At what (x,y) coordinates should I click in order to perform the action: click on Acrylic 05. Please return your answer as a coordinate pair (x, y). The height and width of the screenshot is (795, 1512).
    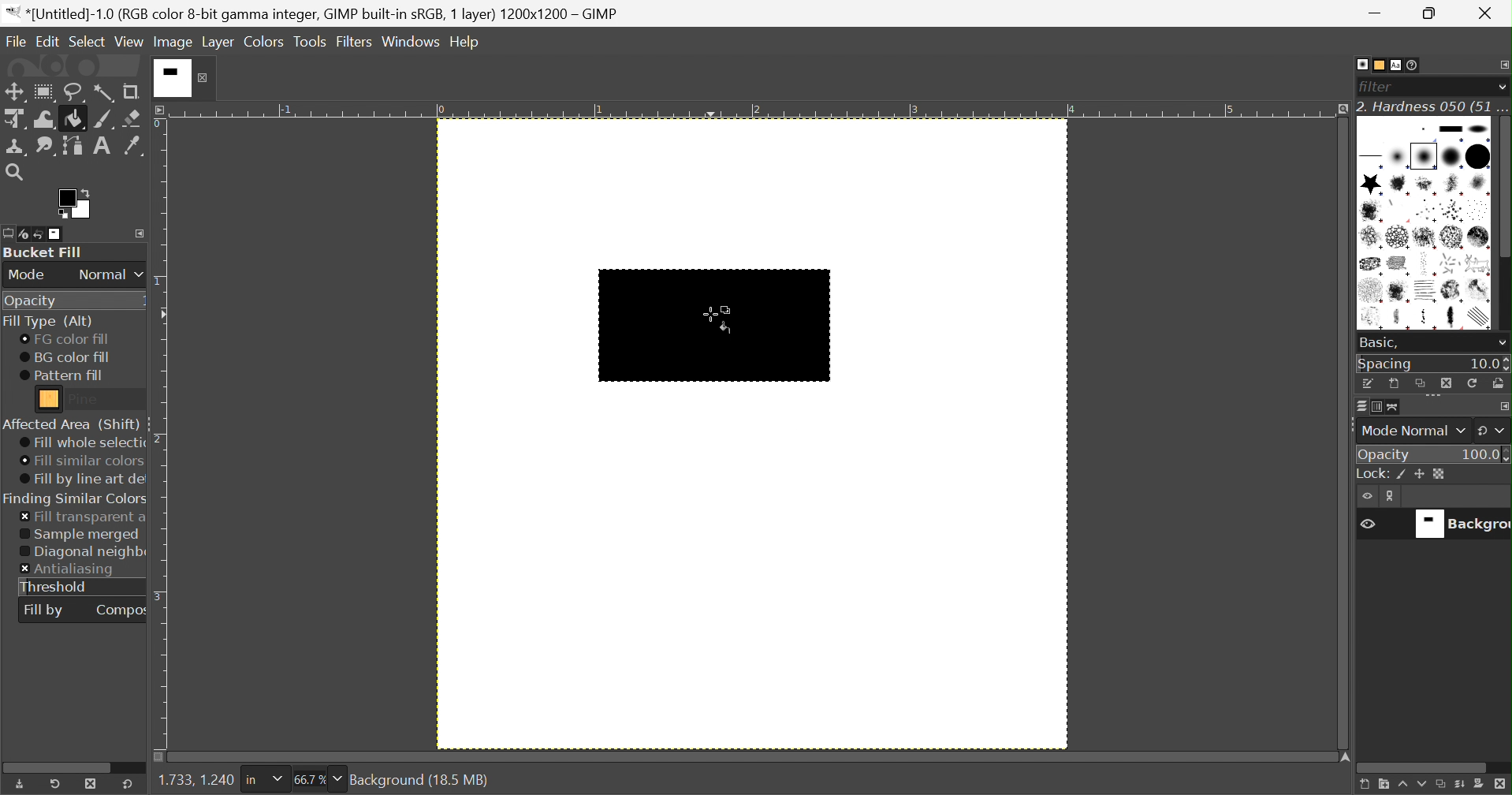
    Looking at the image, I should click on (1371, 211).